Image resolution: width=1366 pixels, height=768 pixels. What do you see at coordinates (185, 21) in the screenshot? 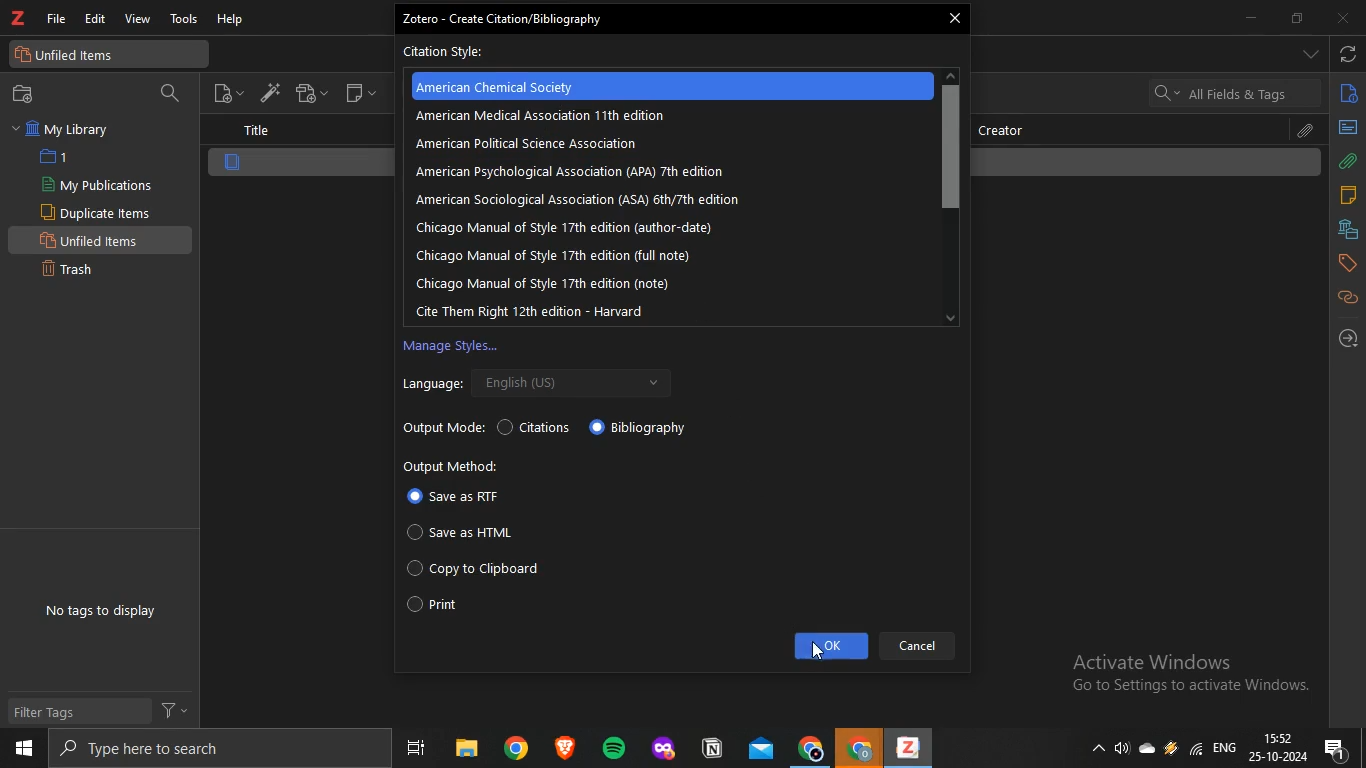
I see `tools` at bounding box center [185, 21].